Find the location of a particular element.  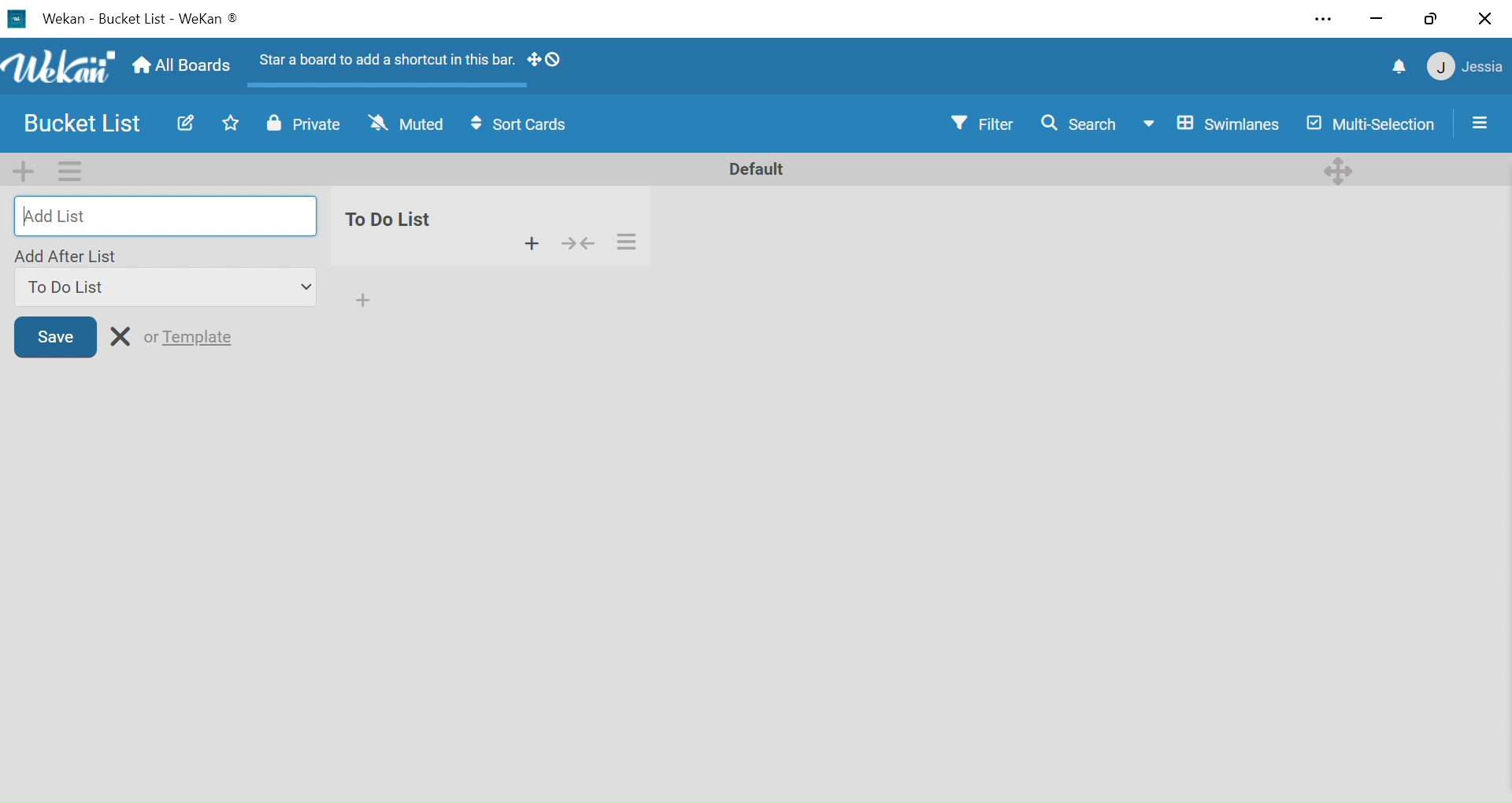

Star a board to add a shortcut in this bar is located at coordinates (382, 63).